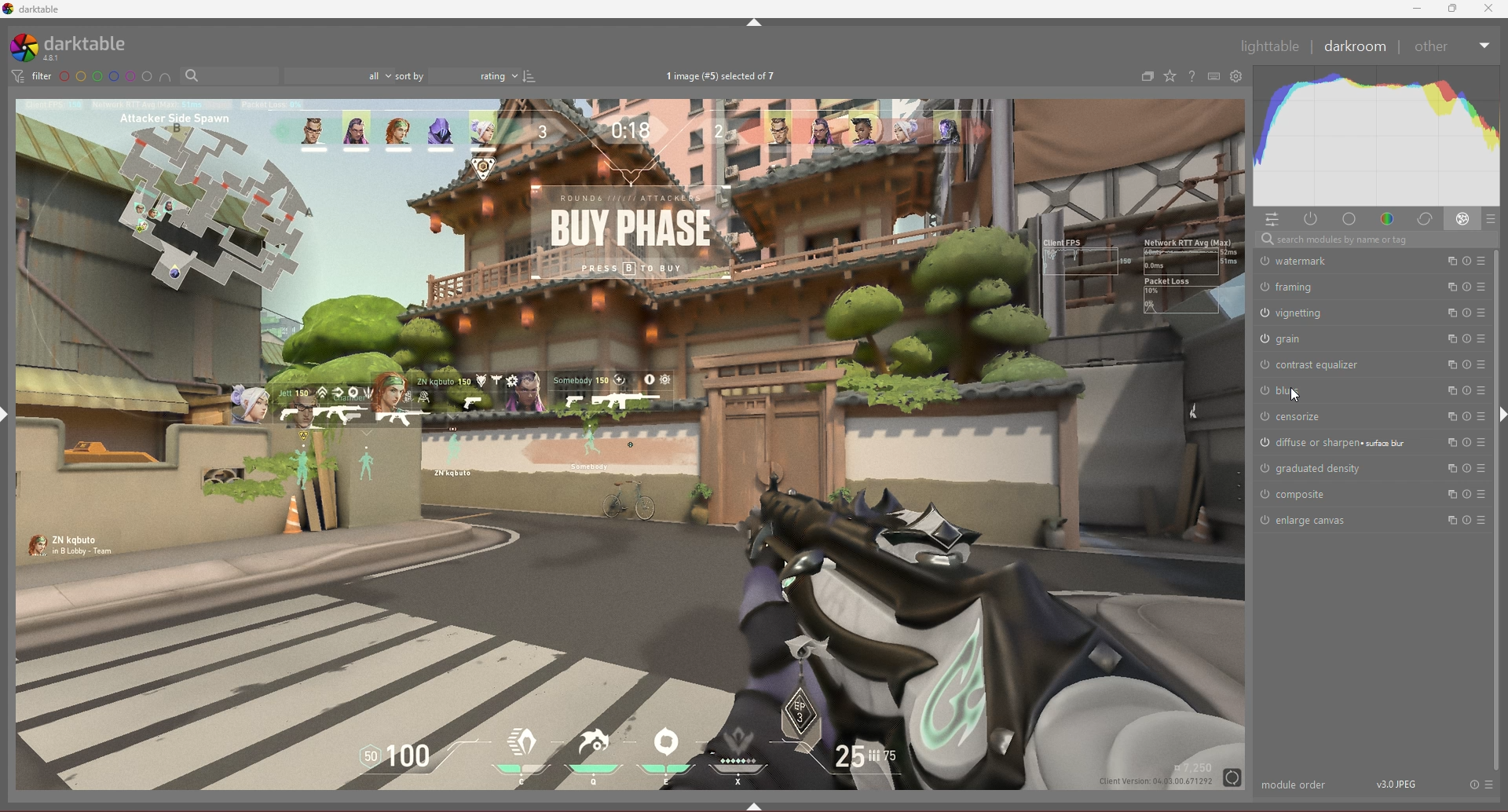 This screenshot has height=812, width=1508. Describe the element at coordinates (1271, 220) in the screenshot. I see `quick access panel` at that location.